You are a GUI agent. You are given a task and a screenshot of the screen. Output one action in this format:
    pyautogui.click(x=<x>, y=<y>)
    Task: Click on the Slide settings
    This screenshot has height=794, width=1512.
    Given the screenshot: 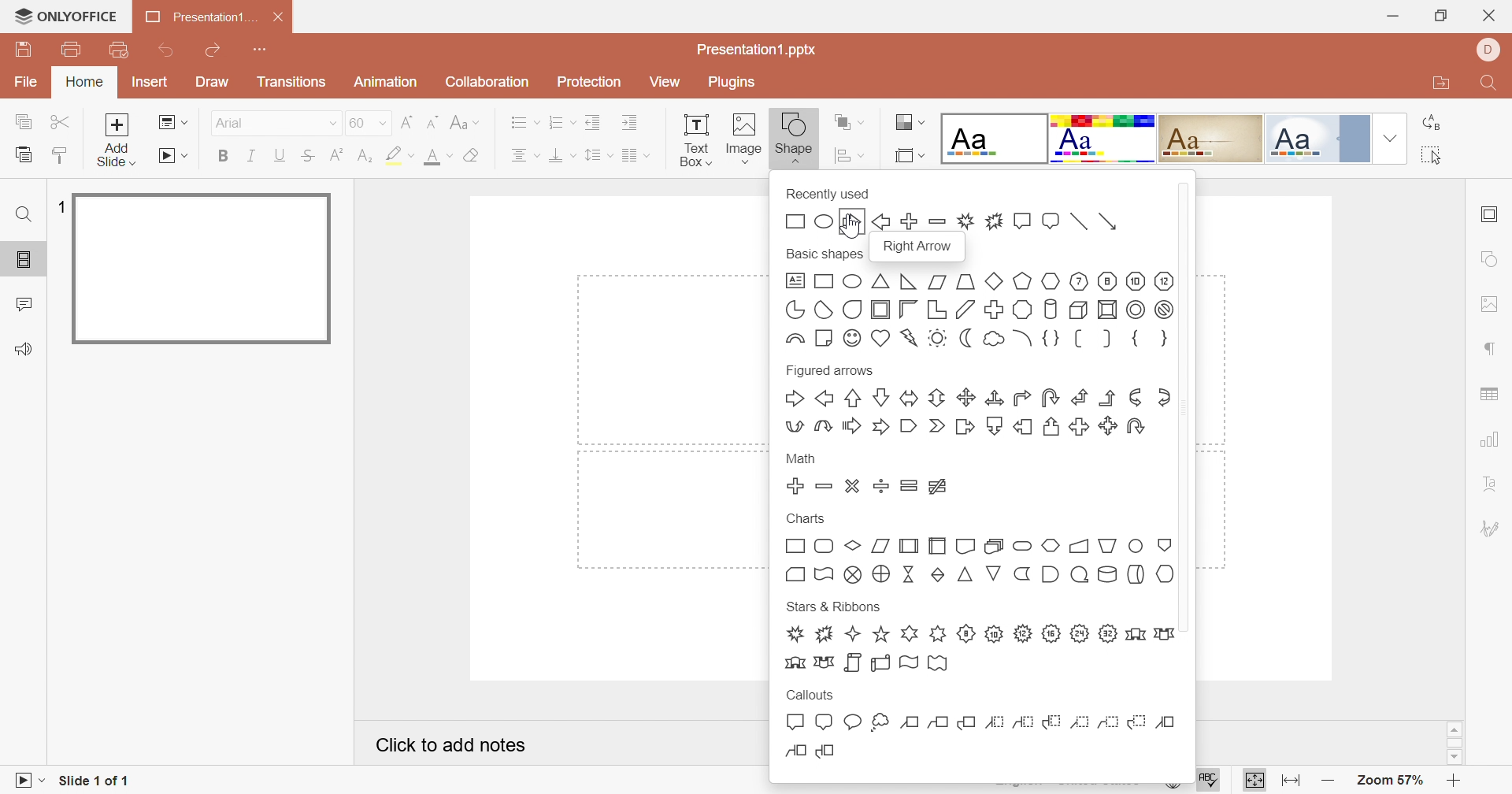 What is the action you would take?
    pyautogui.click(x=1488, y=216)
    